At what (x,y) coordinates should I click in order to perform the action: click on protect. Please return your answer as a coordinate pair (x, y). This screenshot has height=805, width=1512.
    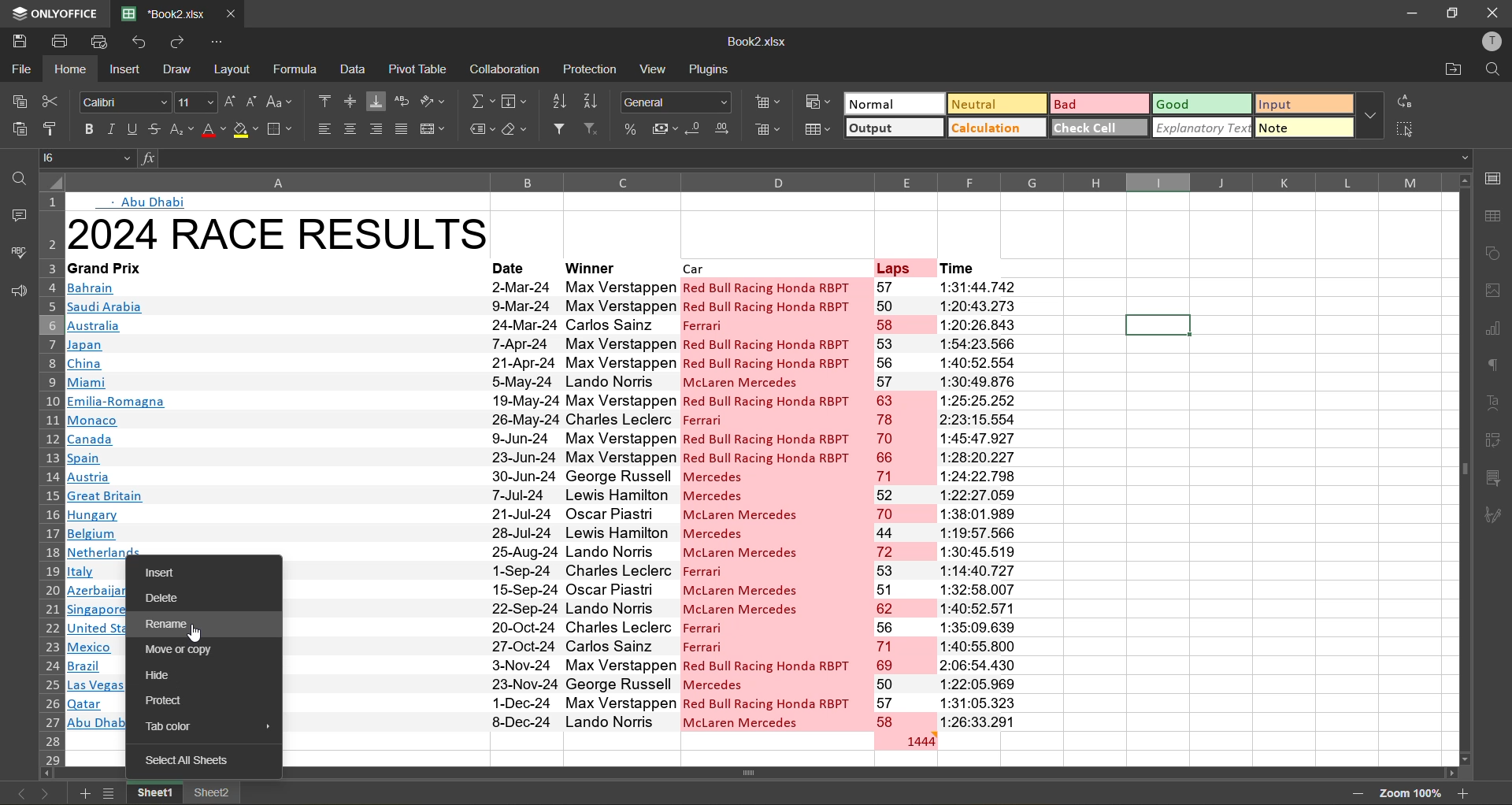
    Looking at the image, I should click on (170, 700).